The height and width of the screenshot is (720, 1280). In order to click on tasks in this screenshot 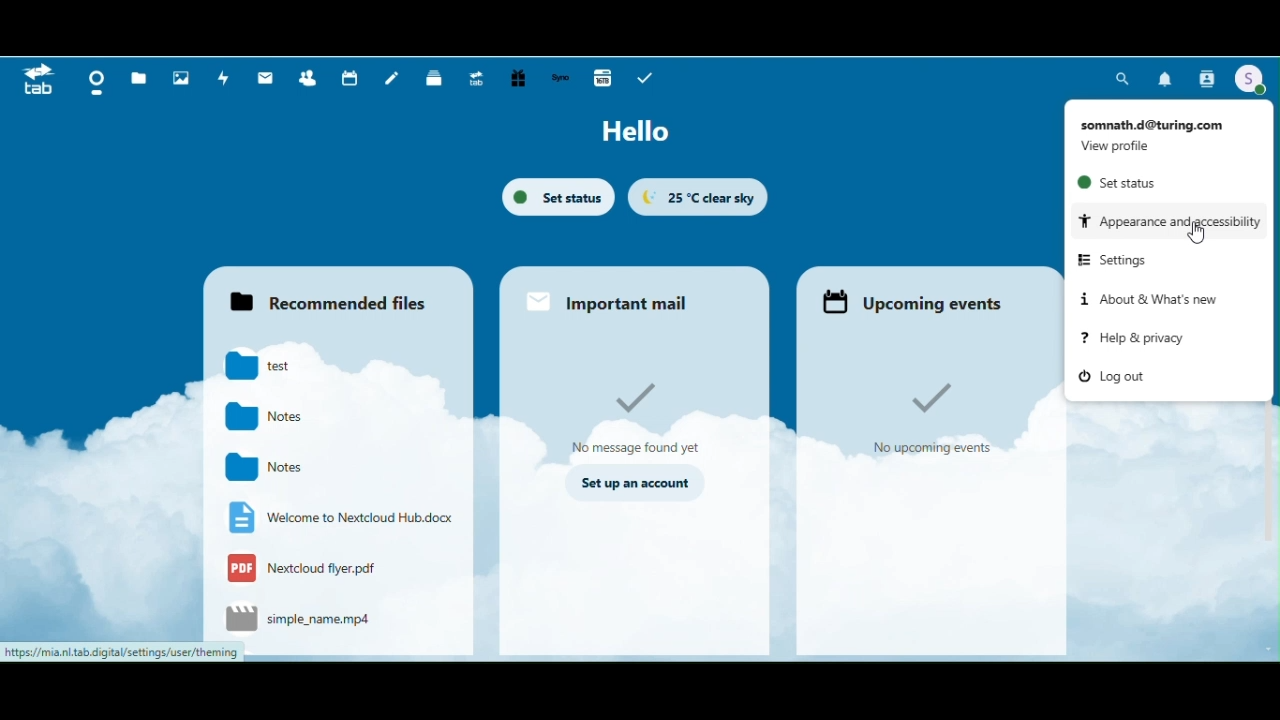, I will do `click(645, 78)`.